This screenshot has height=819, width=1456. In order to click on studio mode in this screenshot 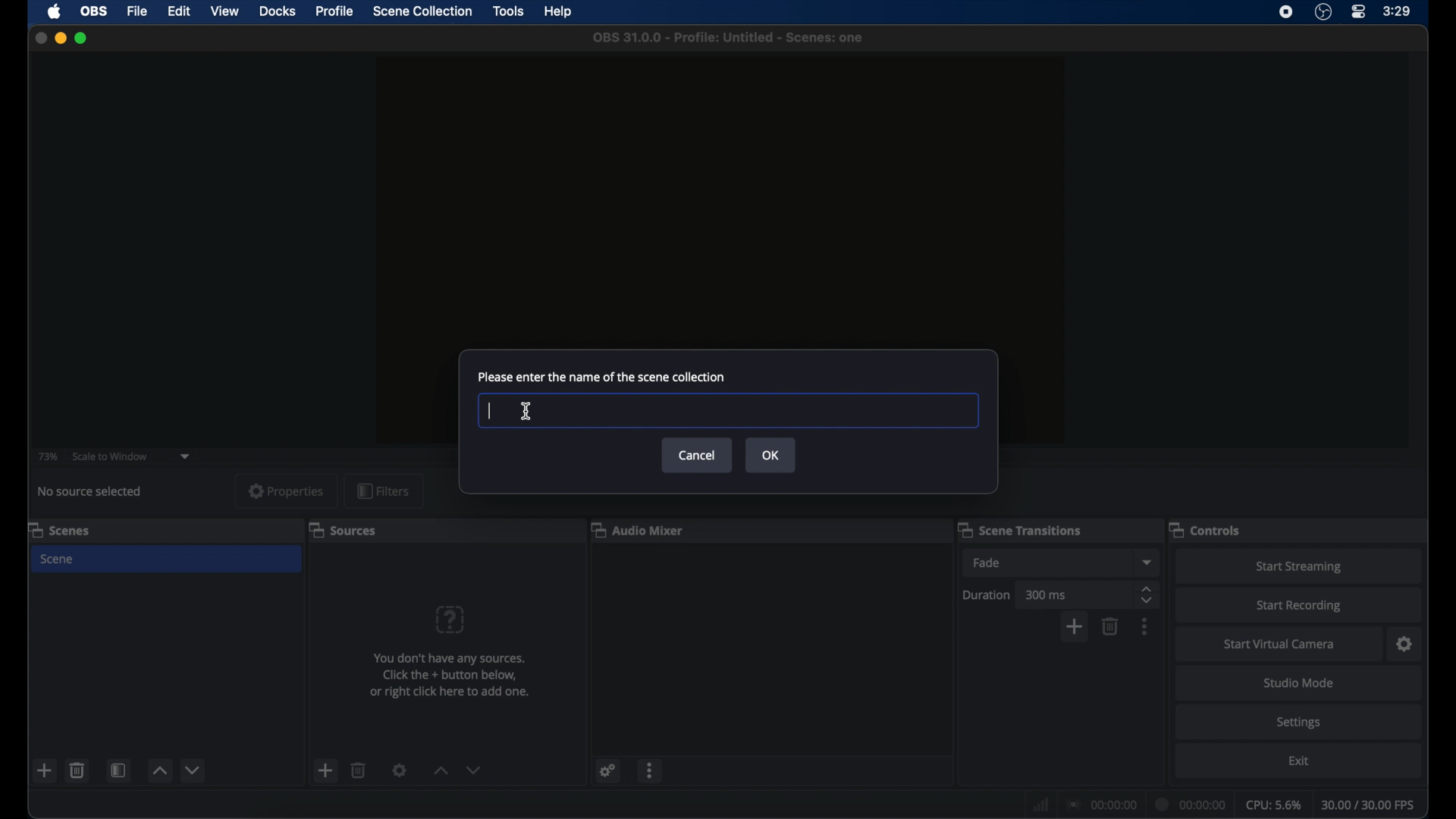, I will do `click(1301, 682)`.